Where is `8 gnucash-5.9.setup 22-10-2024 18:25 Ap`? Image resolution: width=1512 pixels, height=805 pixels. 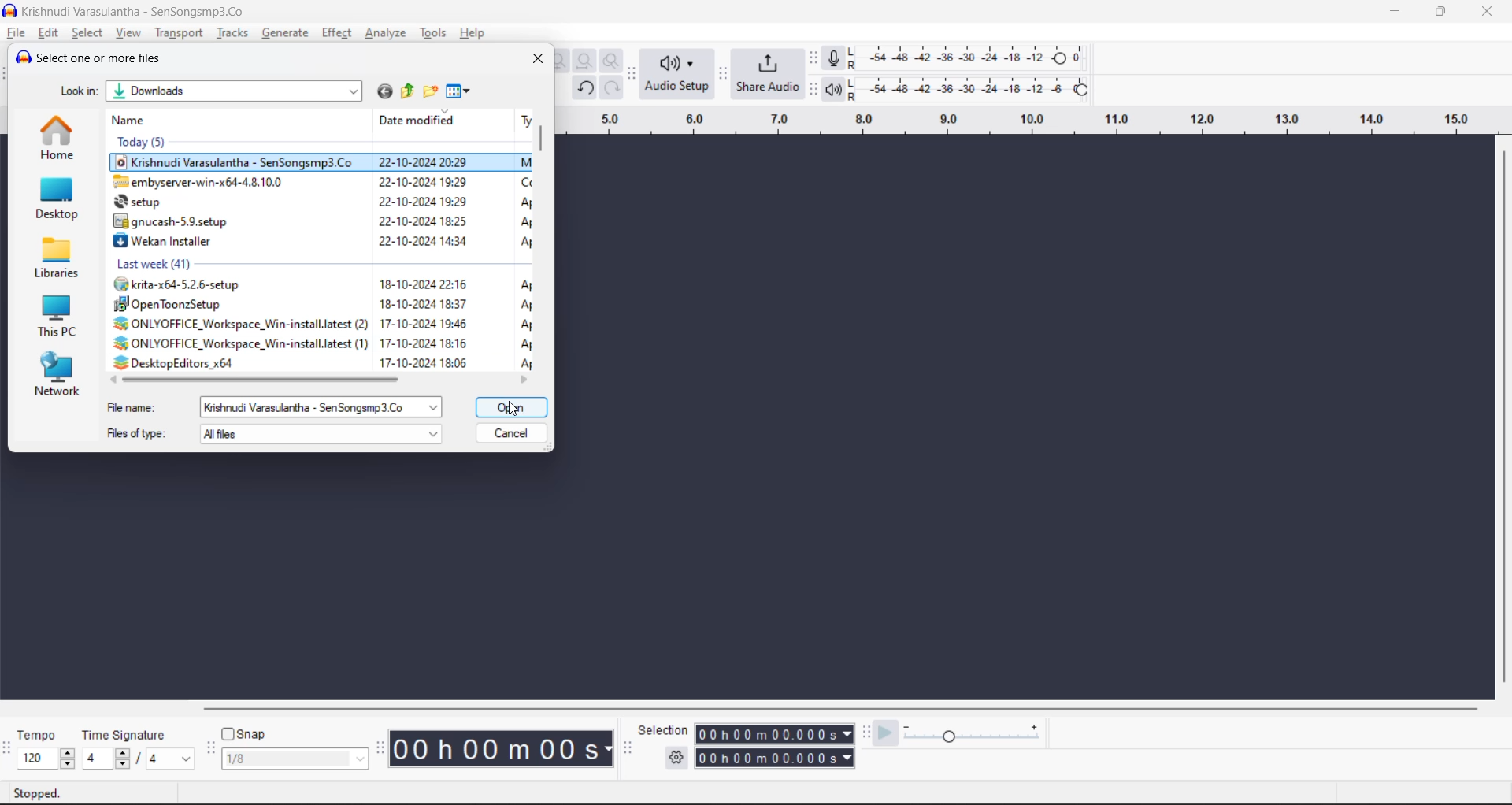
8 gnucash-5.9.setup 22-10-2024 18:25 Ap is located at coordinates (321, 221).